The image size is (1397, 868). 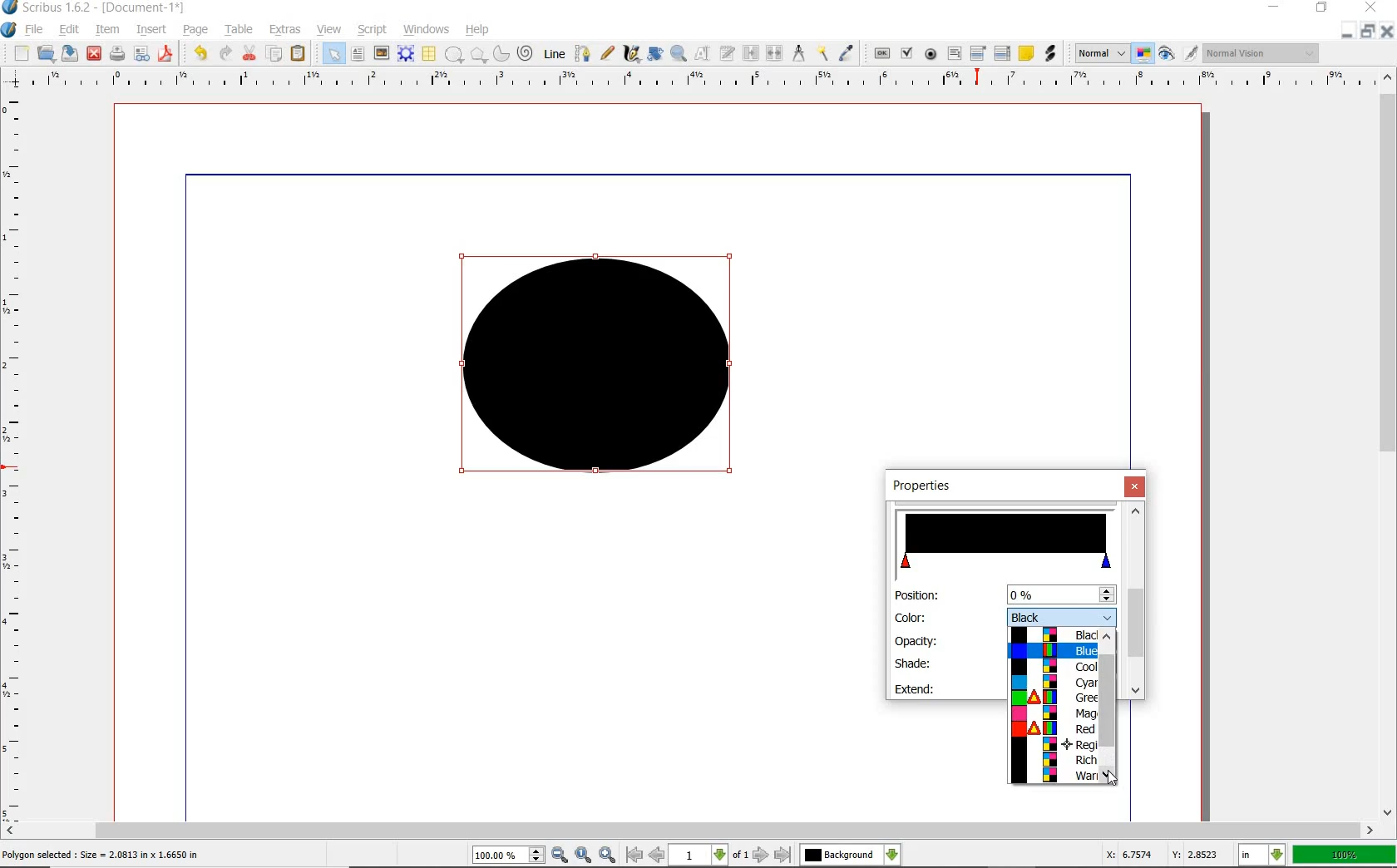 I want to click on visual appearance of the display, so click(x=1261, y=54).